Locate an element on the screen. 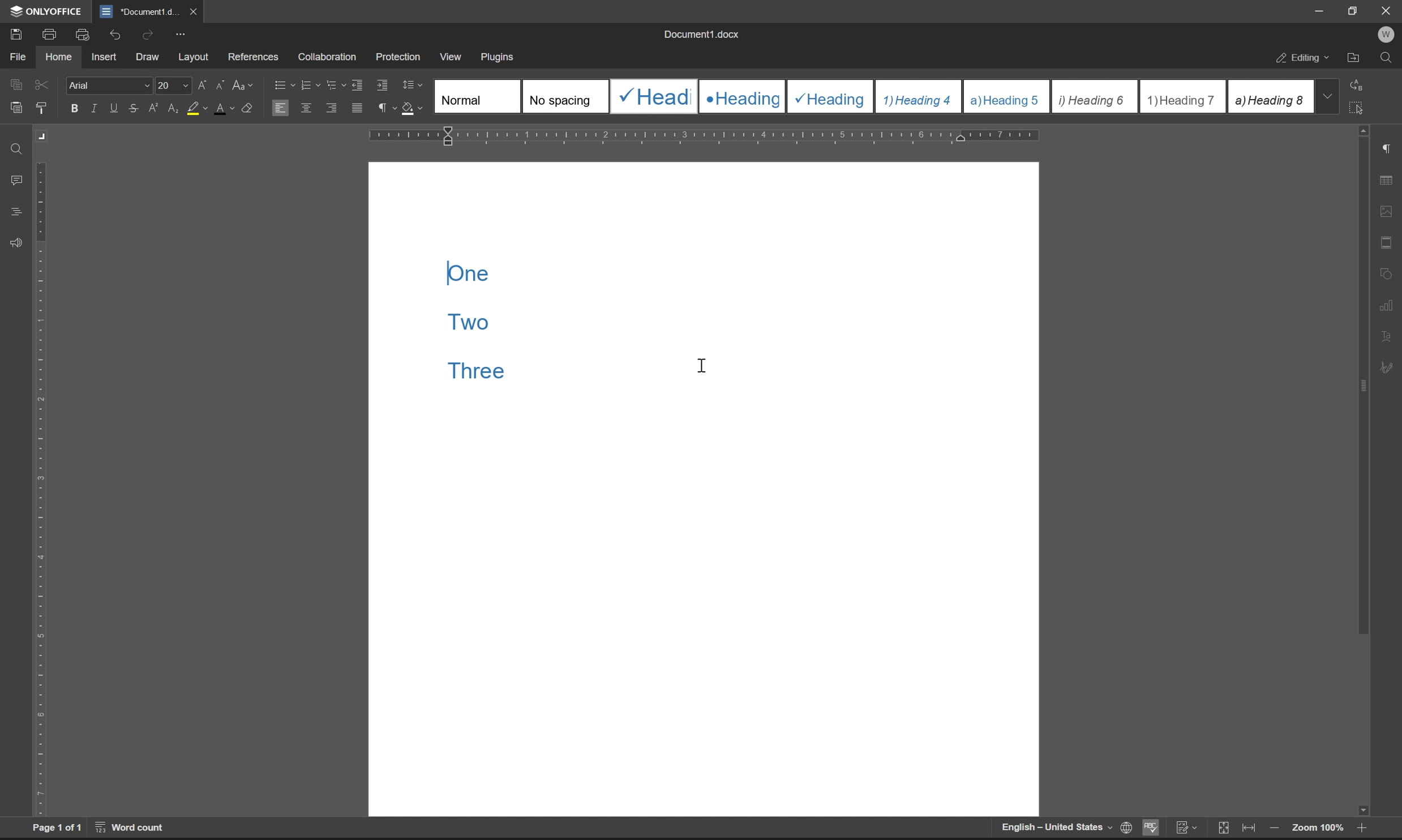 The width and height of the screenshot is (1402, 840). increase indent is located at coordinates (383, 85).